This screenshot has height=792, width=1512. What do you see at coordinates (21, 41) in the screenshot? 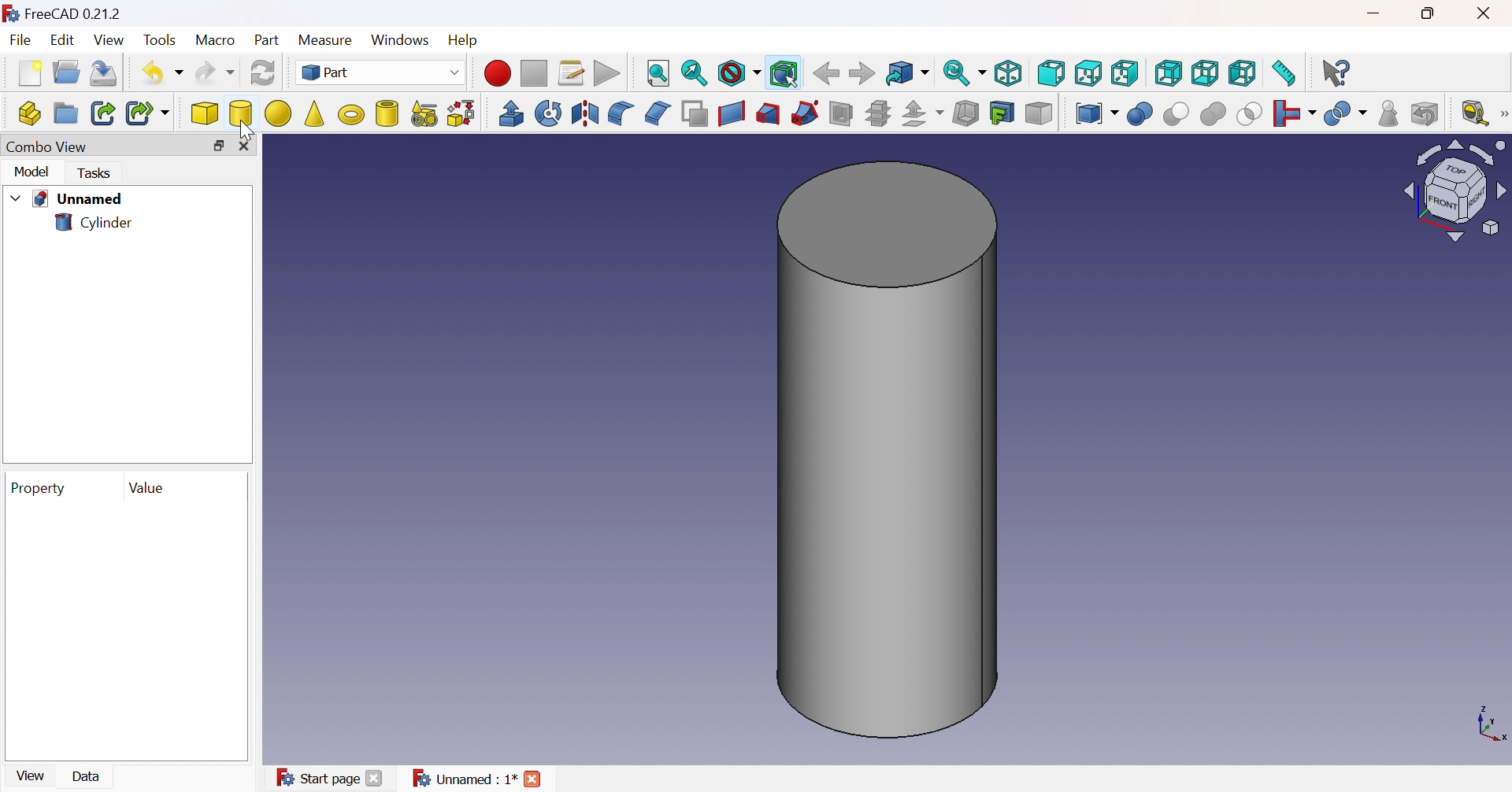
I see `File` at bounding box center [21, 41].